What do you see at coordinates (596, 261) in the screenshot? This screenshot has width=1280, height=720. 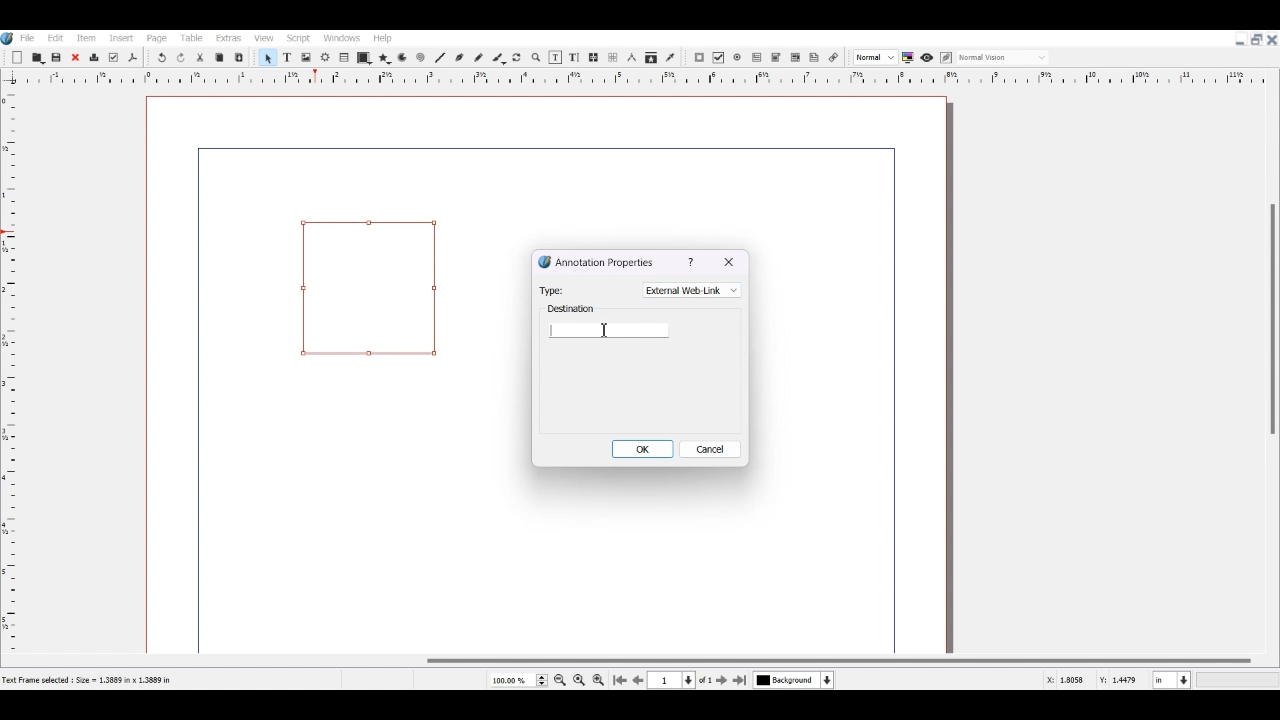 I see `Annotation Properties` at bounding box center [596, 261].